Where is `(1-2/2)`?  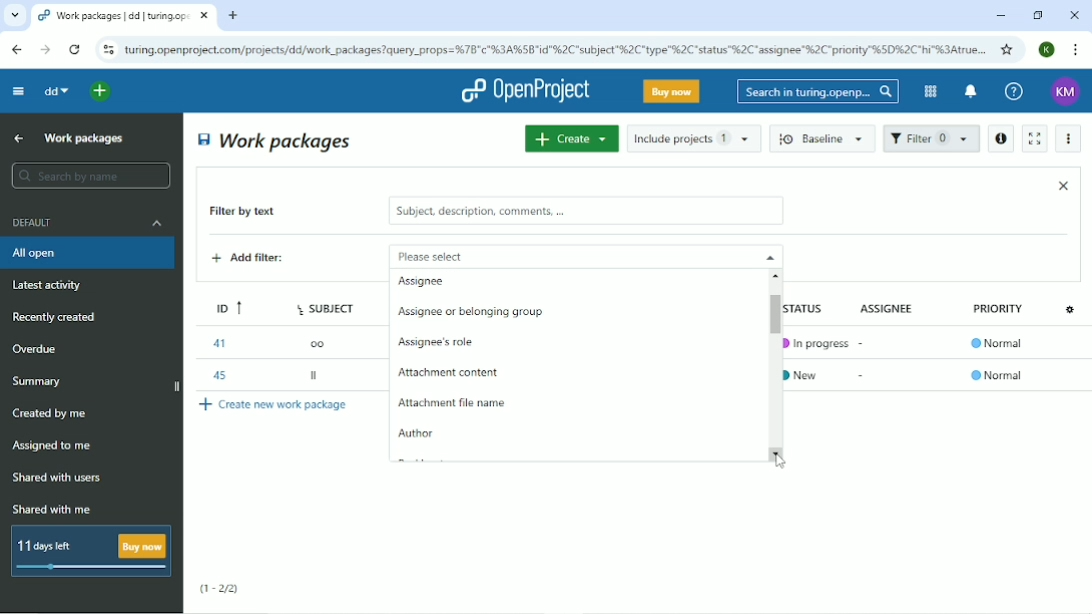
(1-2/2) is located at coordinates (220, 589).